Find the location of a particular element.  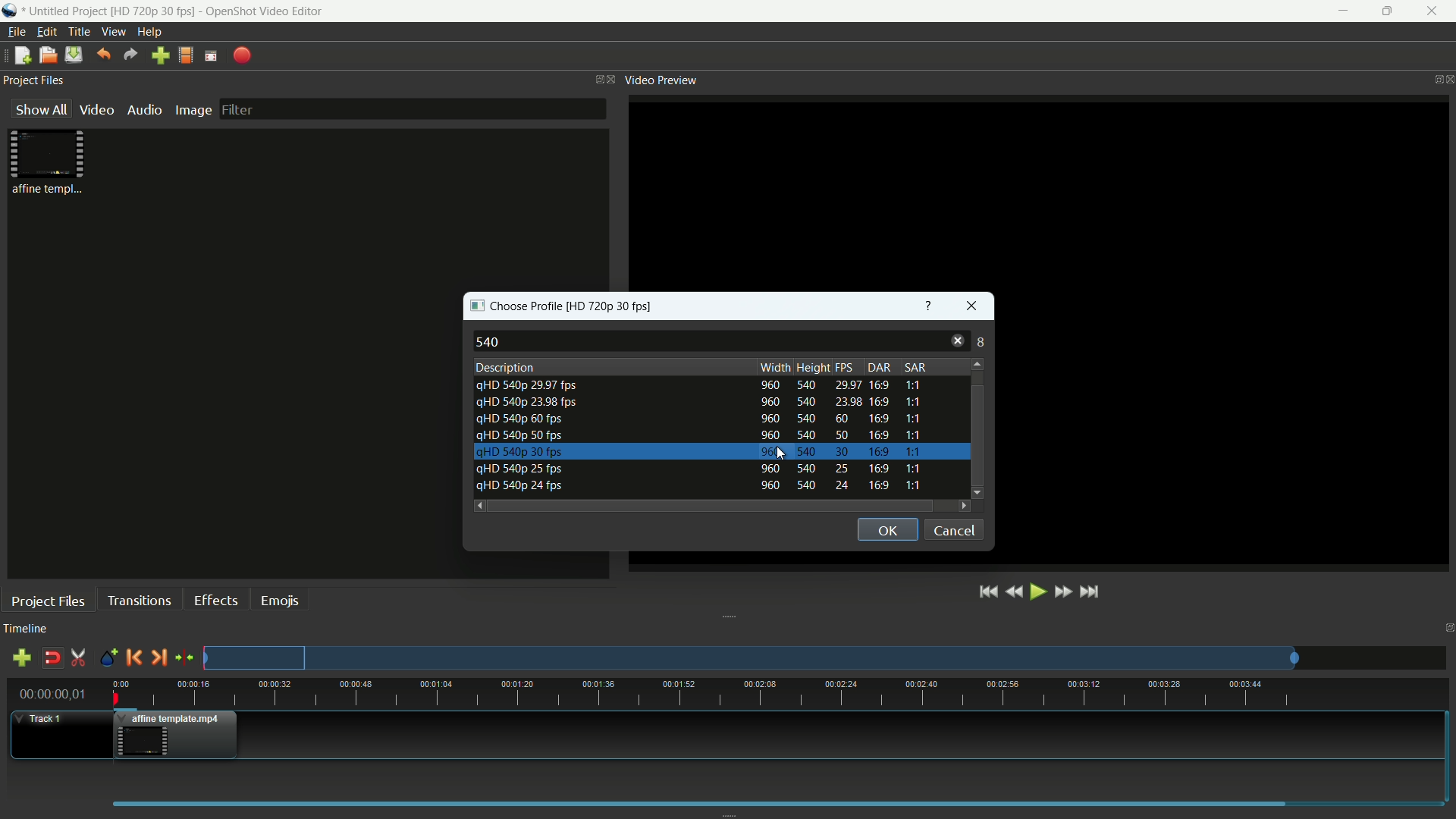

audio is located at coordinates (145, 109).